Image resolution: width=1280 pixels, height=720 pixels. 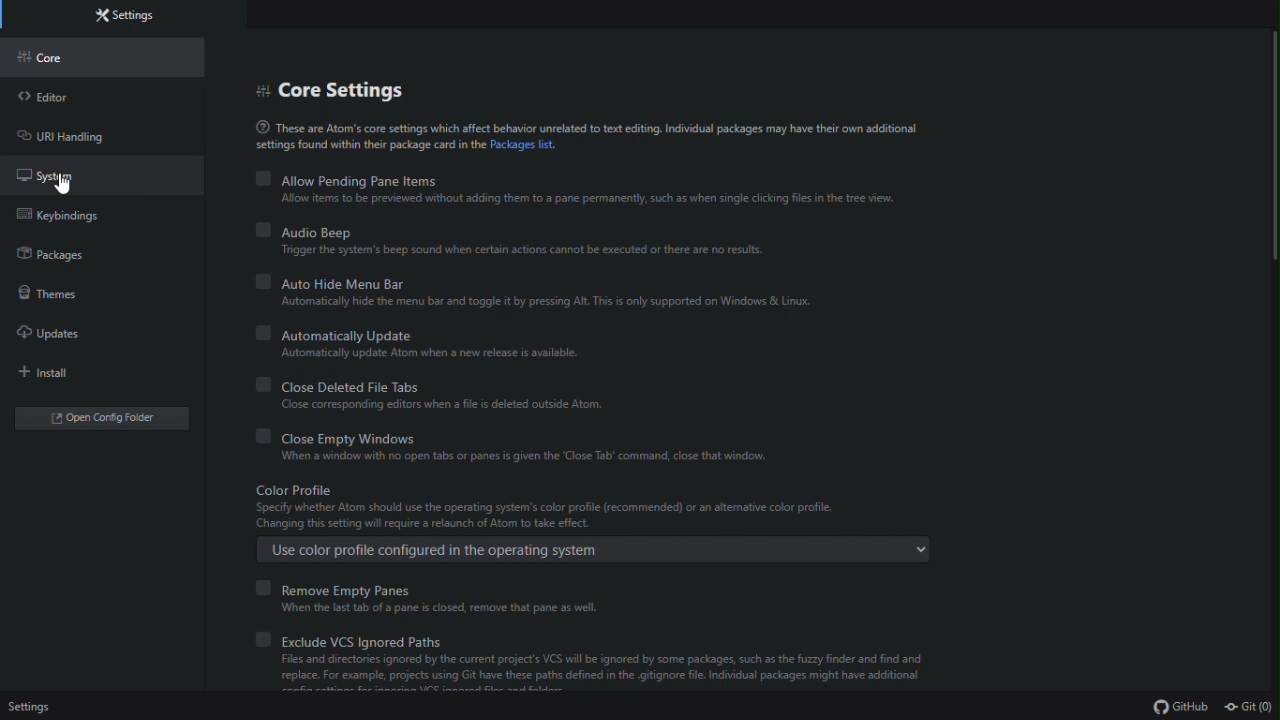 What do you see at coordinates (524, 456) in the screenshot?
I see `When a window with no open tabs or panes is given the ‘Close Tab’ command, close that window.` at bounding box center [524, 456].